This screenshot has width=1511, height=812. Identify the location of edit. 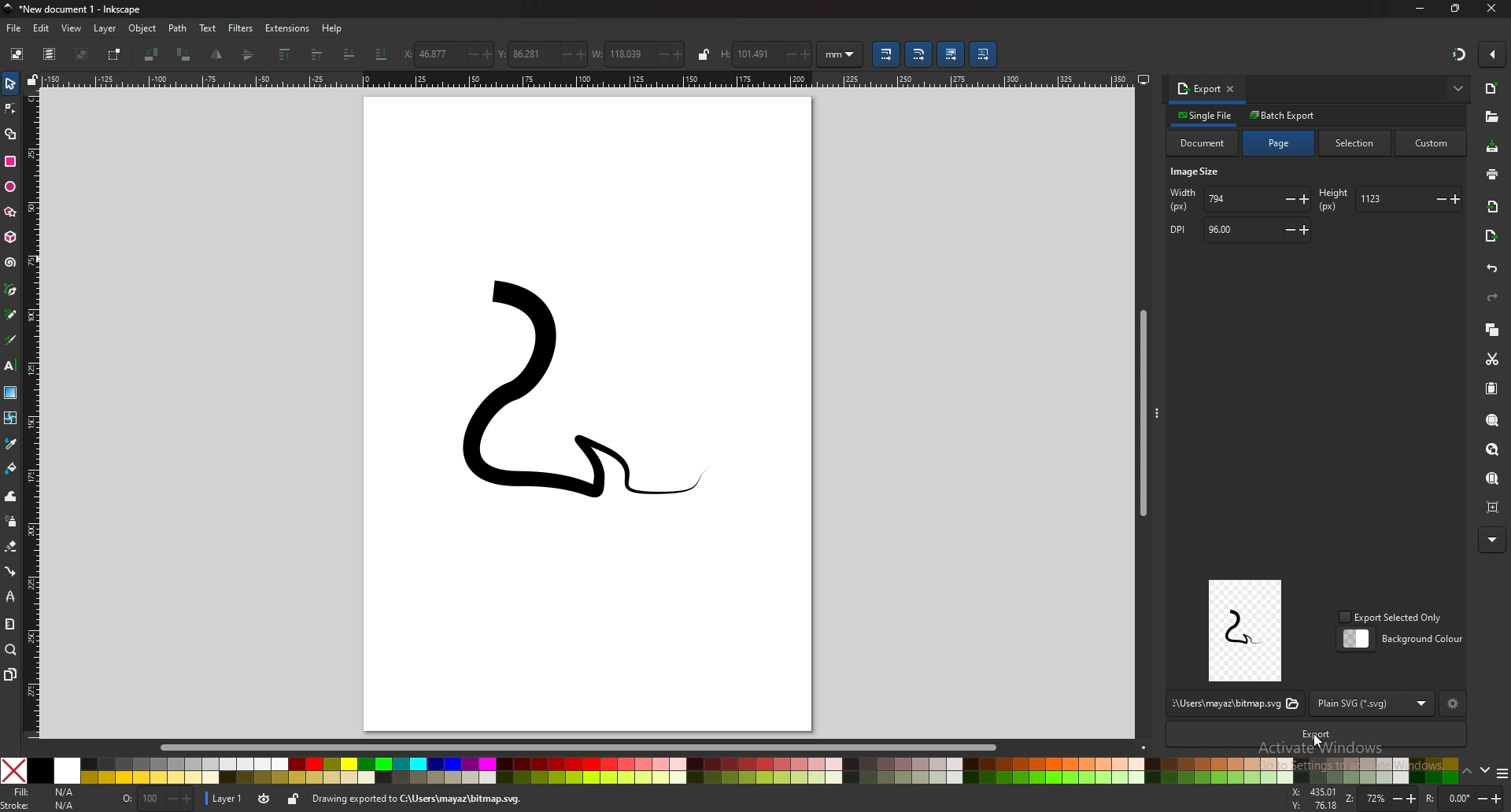
(42, 28).